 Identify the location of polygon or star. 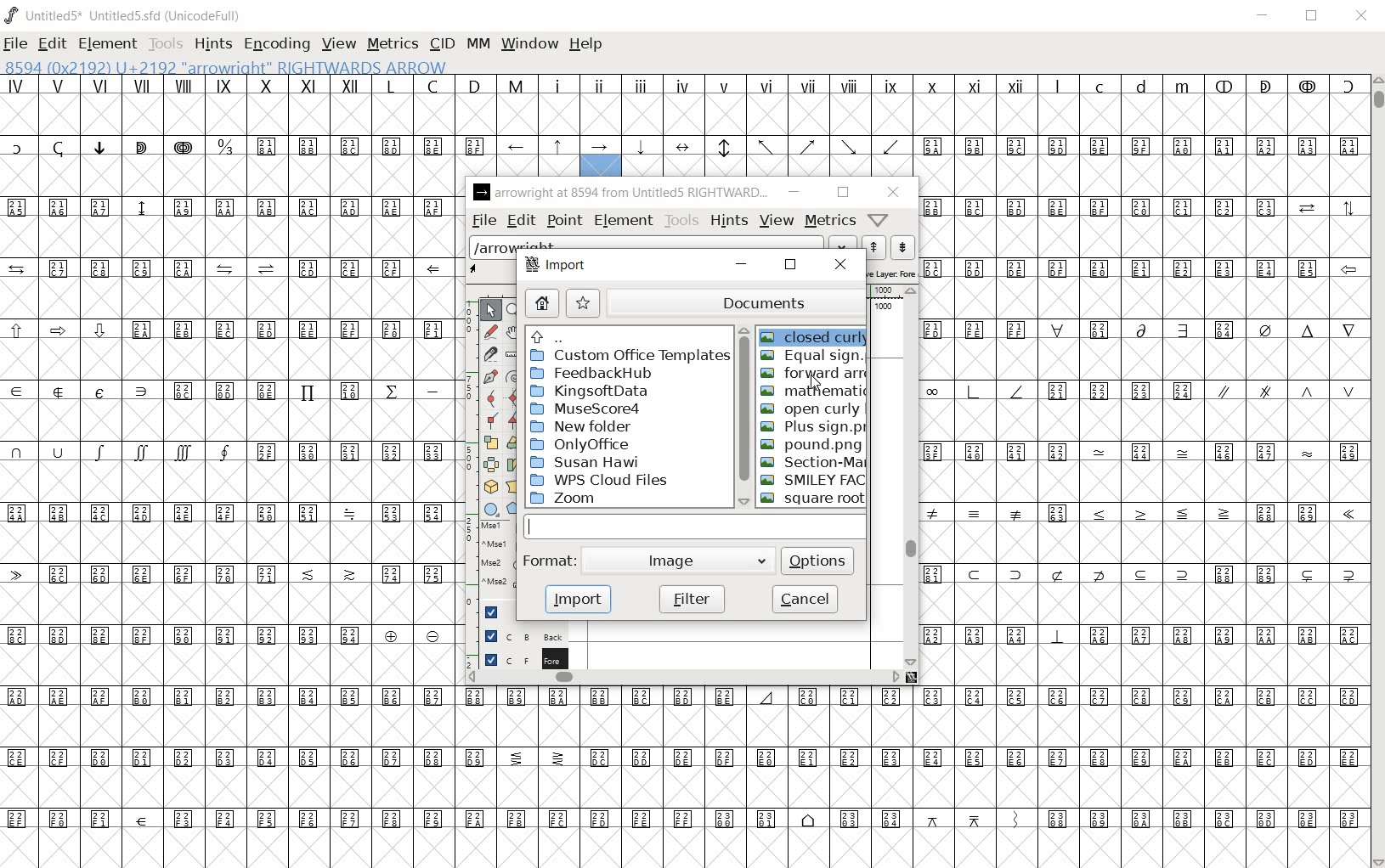
(514, 509).